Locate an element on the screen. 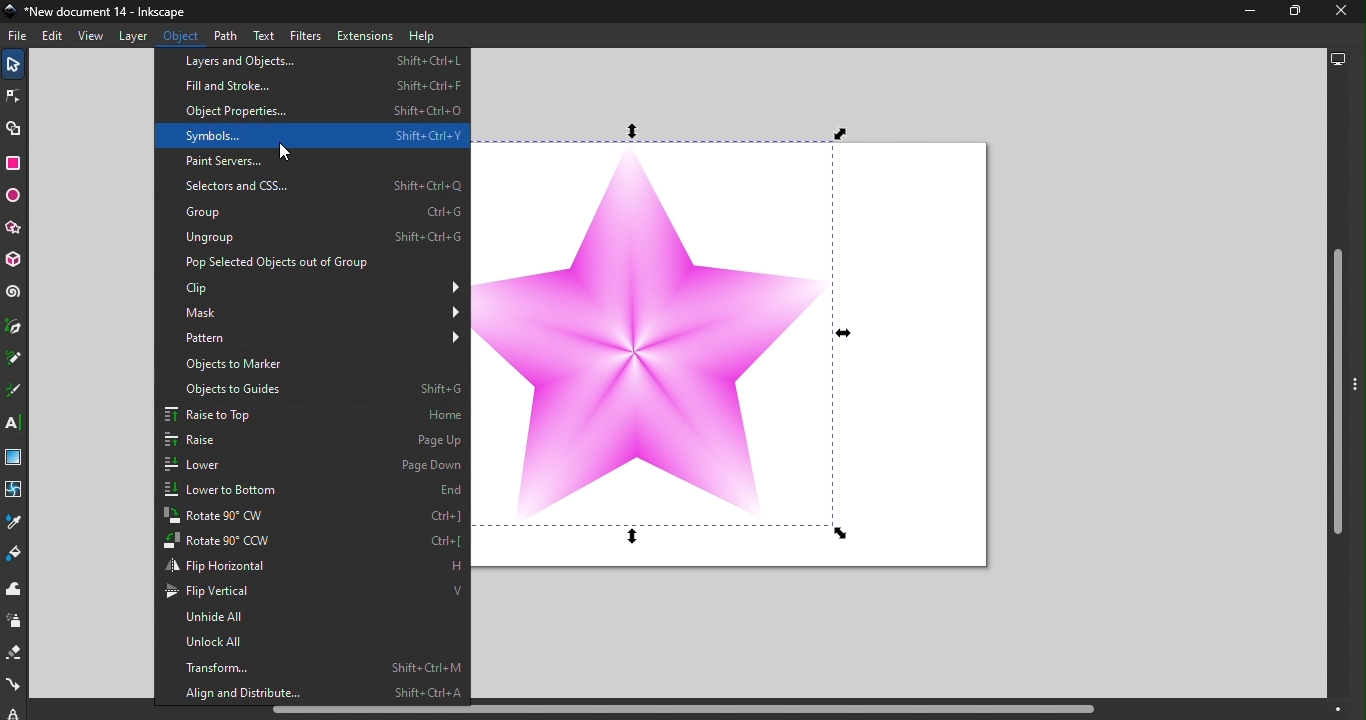  Symbols is located at coordinates (314, 137).